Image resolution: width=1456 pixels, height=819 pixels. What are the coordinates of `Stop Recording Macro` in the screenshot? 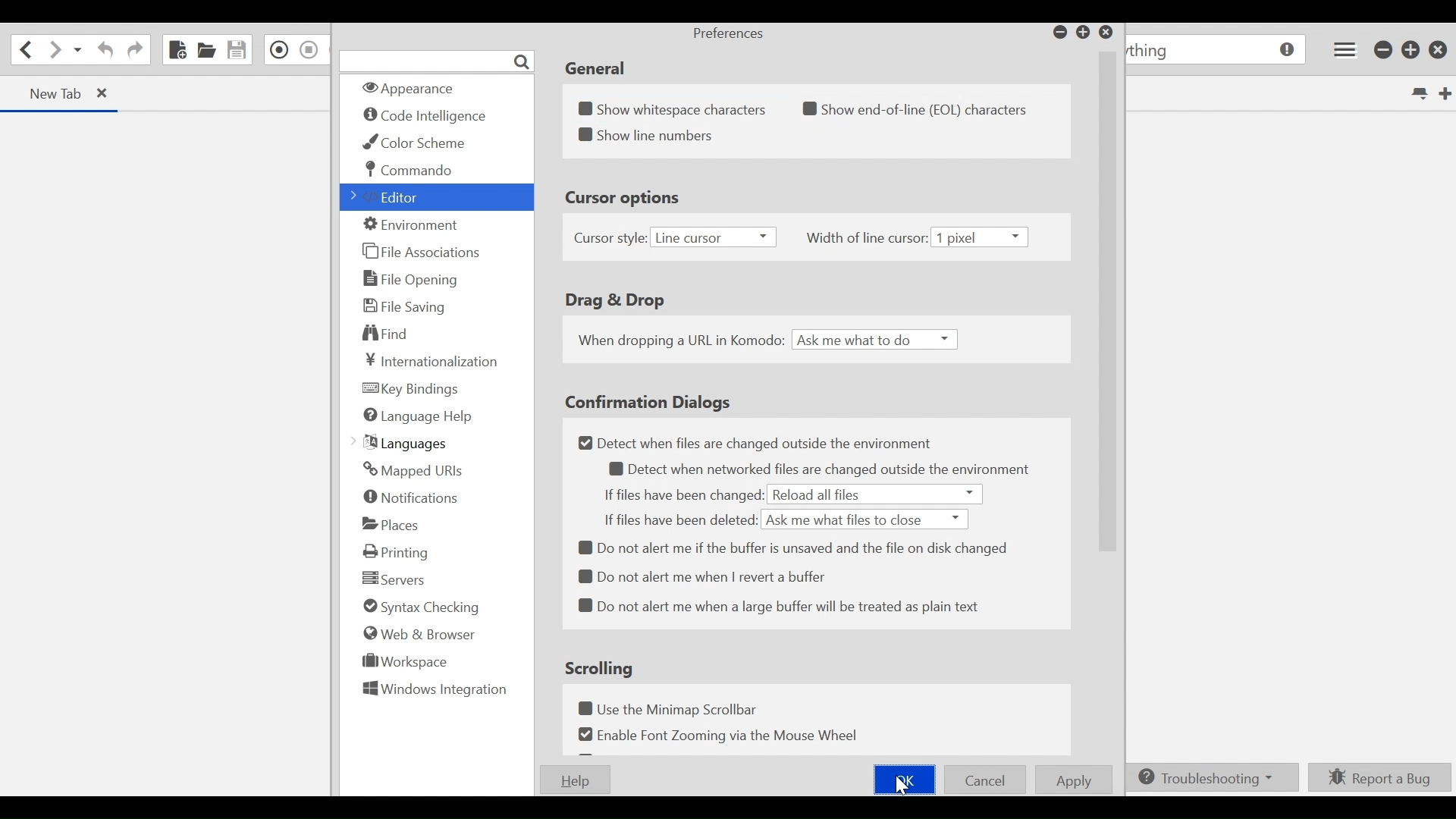 It's located at (309, 49).